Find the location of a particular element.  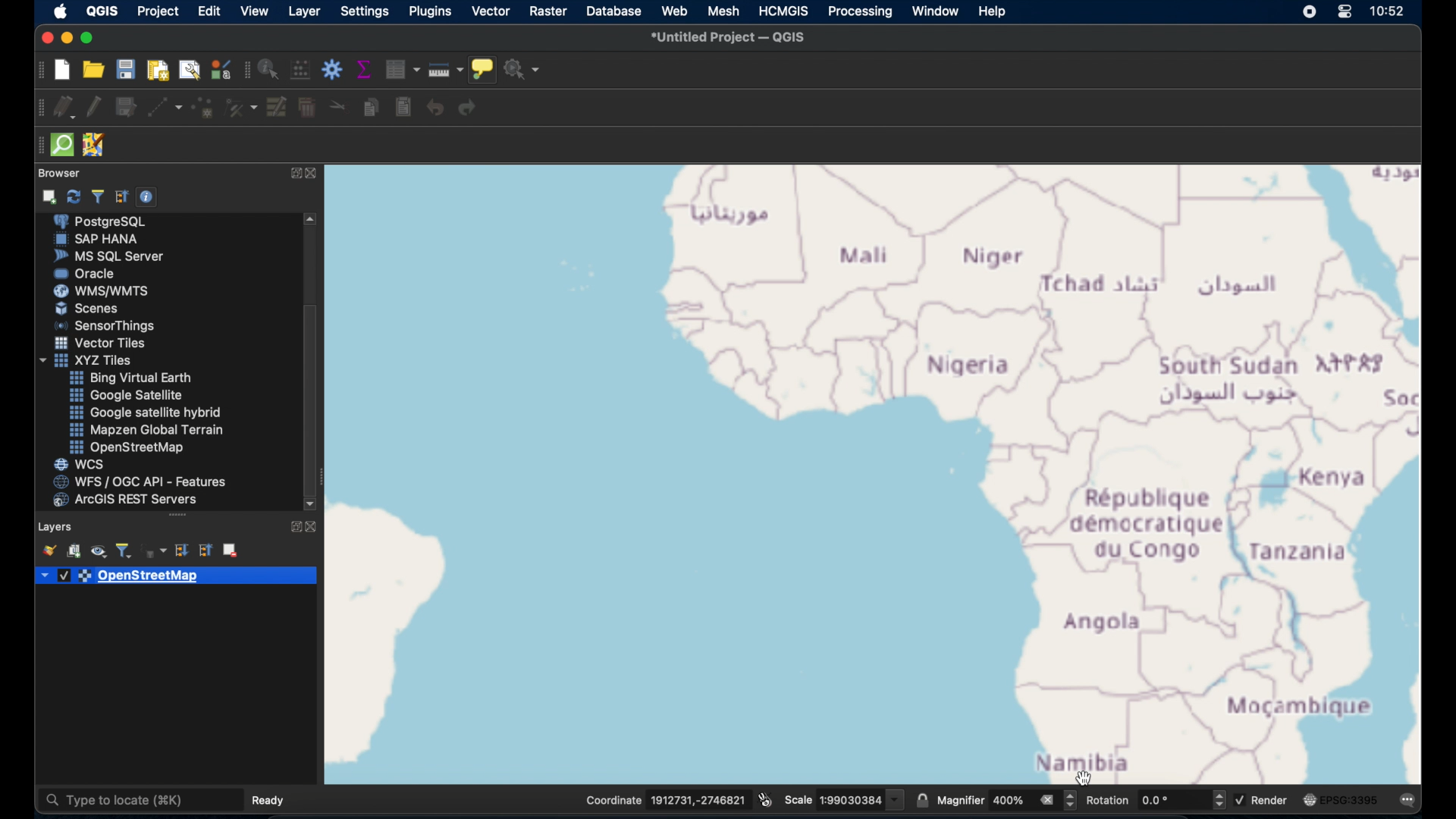

oracle is located at coordinates (87, 274).